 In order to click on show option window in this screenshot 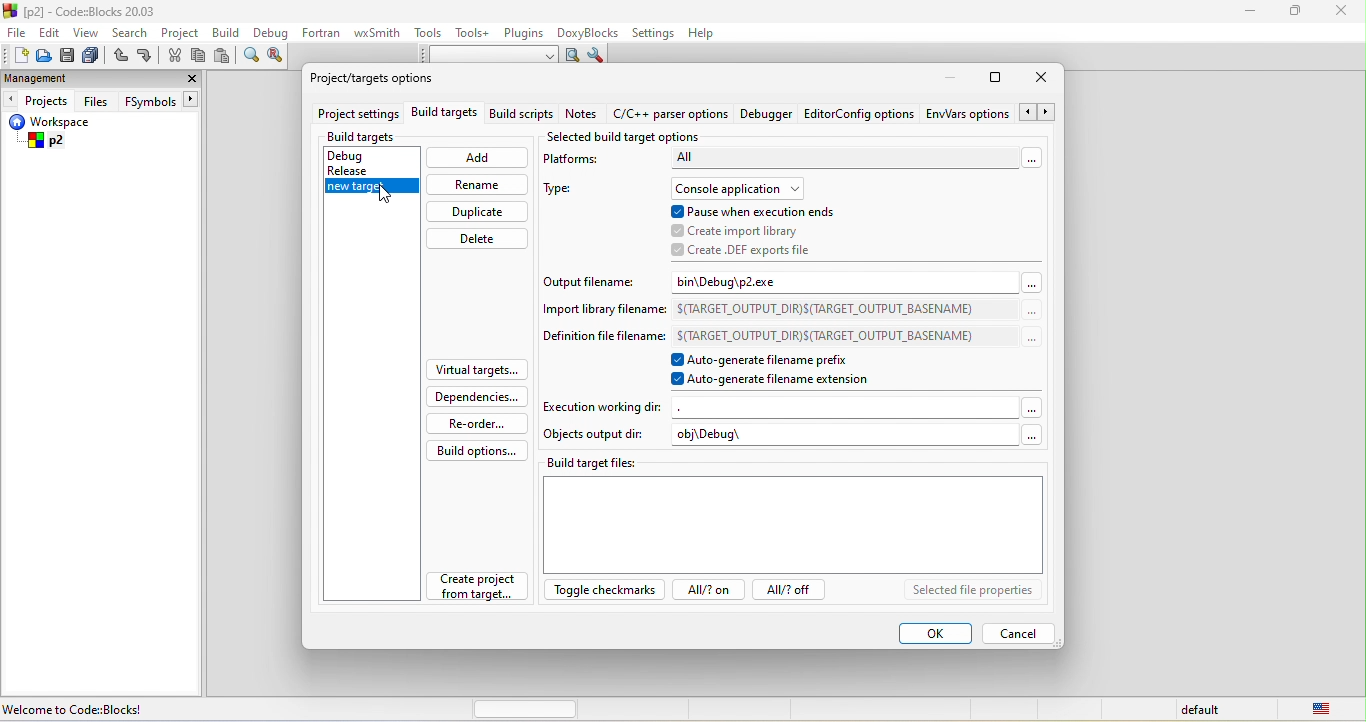, I will do `click(598, 55)`.